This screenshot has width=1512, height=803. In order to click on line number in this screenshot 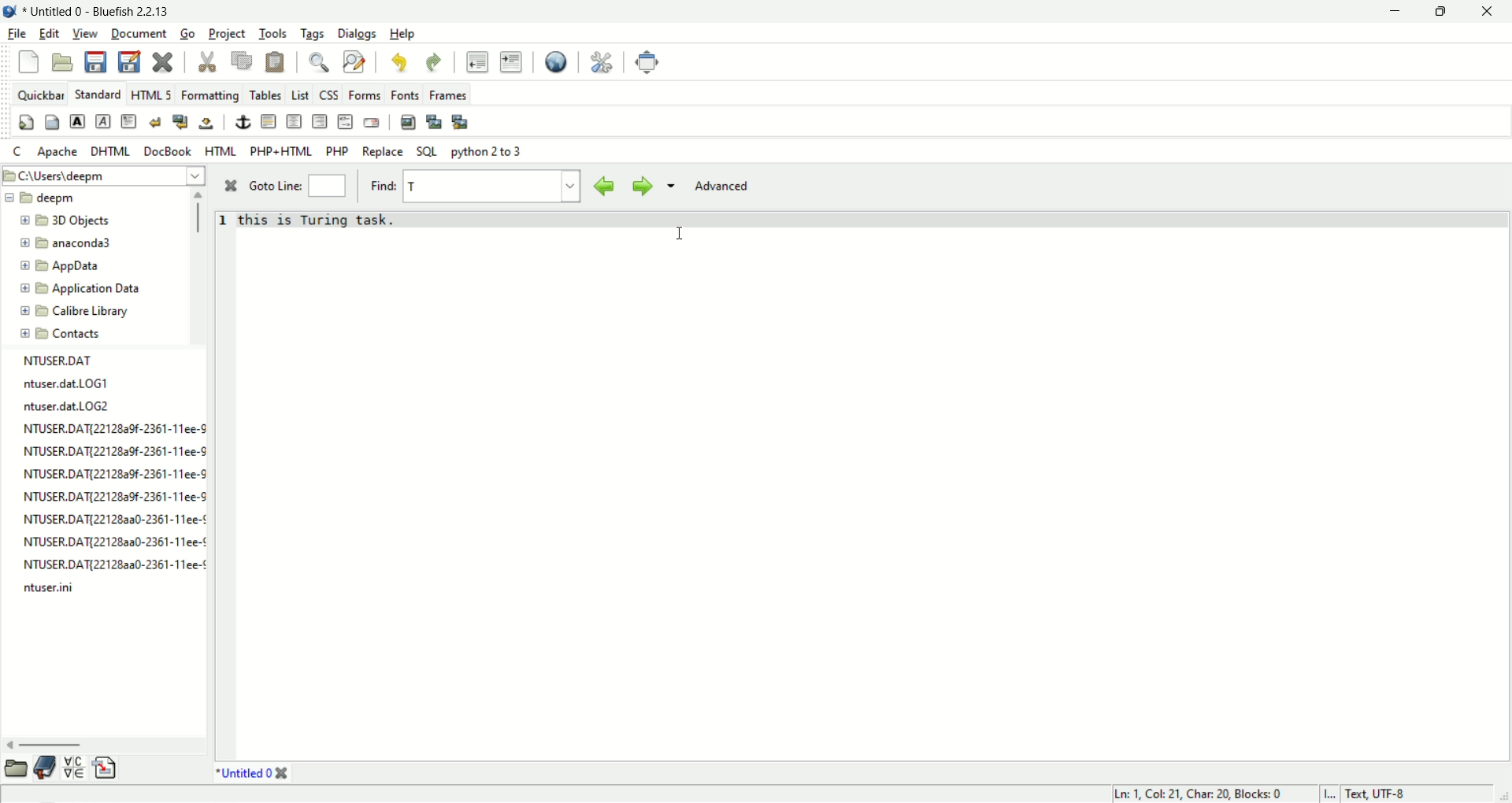, I will do `click(225, 484)`.